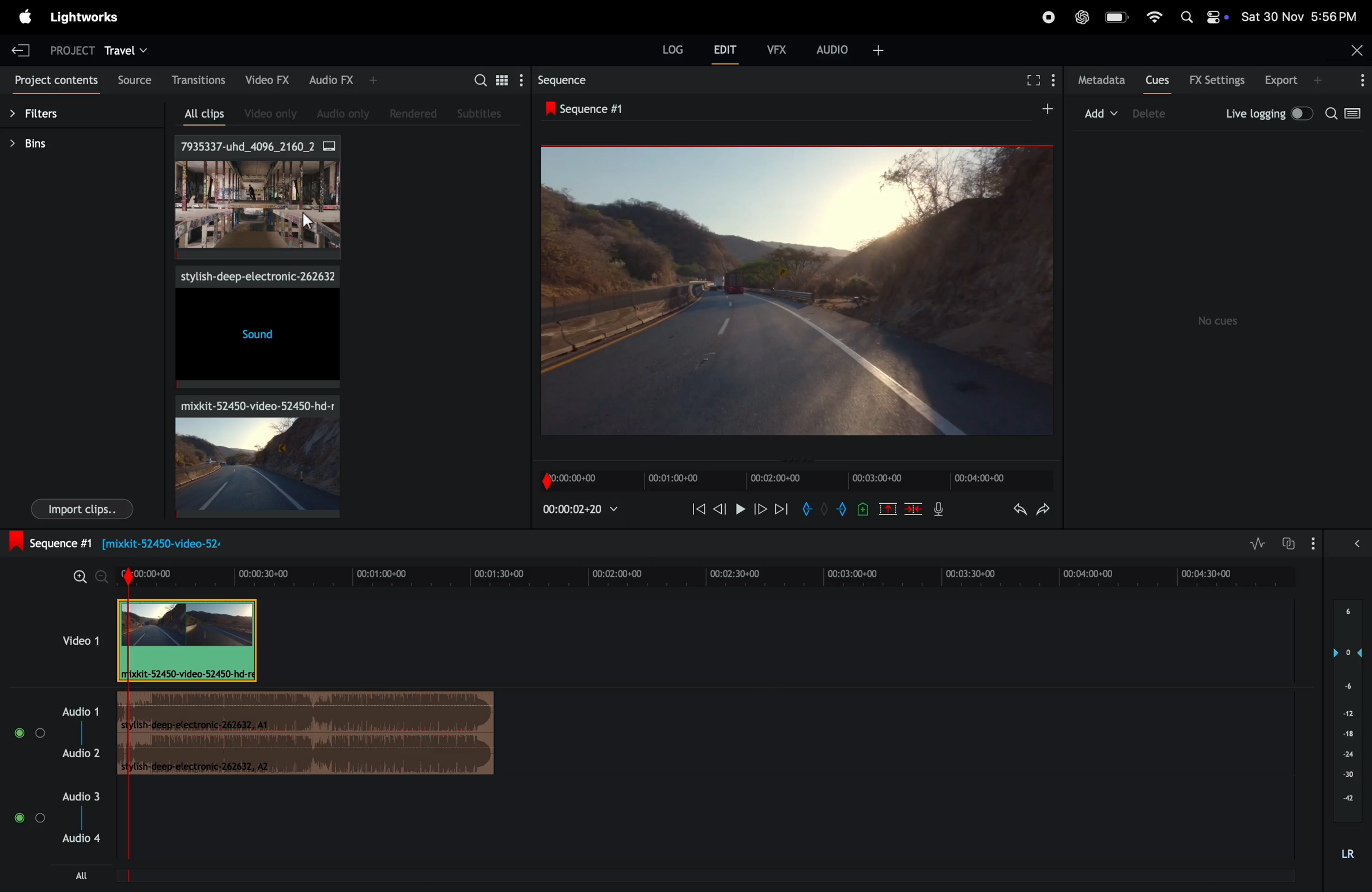 This screenshot has width=1372, height=892. What do you see at coordinates (721, 50) in the screenshot?
I see `edit` at bounding box center [721, 50].